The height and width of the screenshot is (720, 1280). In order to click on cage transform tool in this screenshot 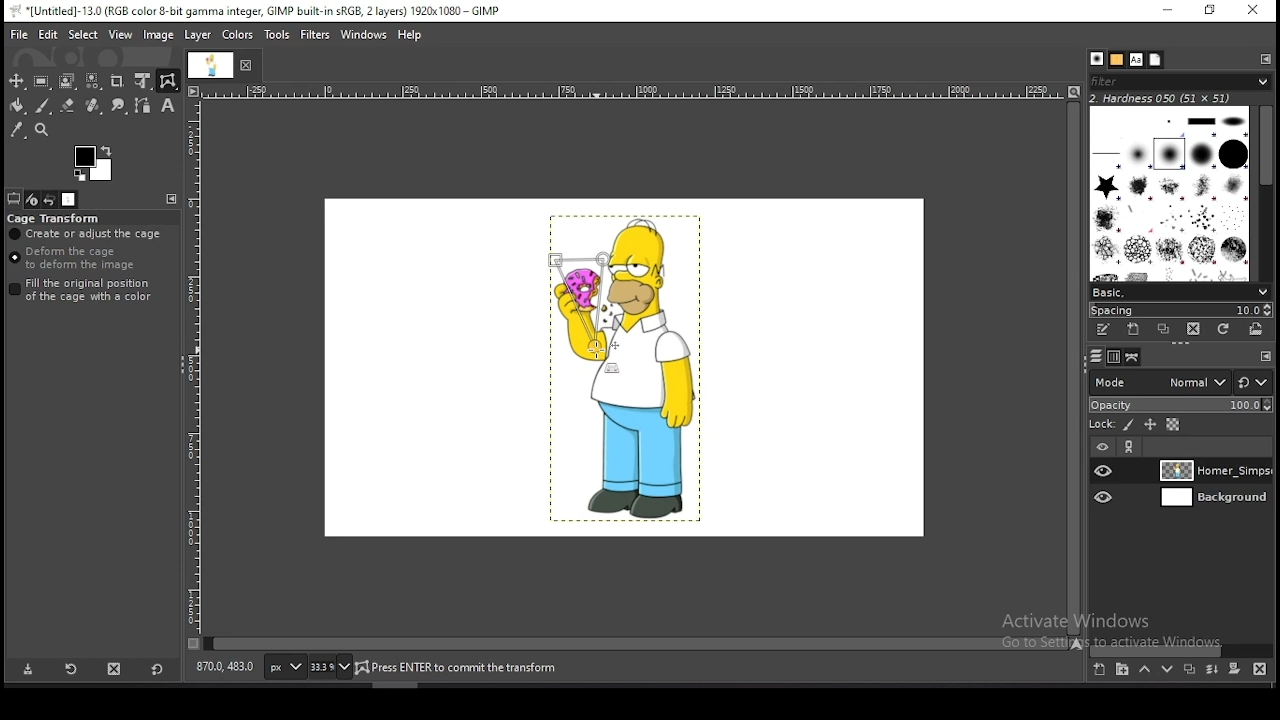, I will do `click(168, 81)`.